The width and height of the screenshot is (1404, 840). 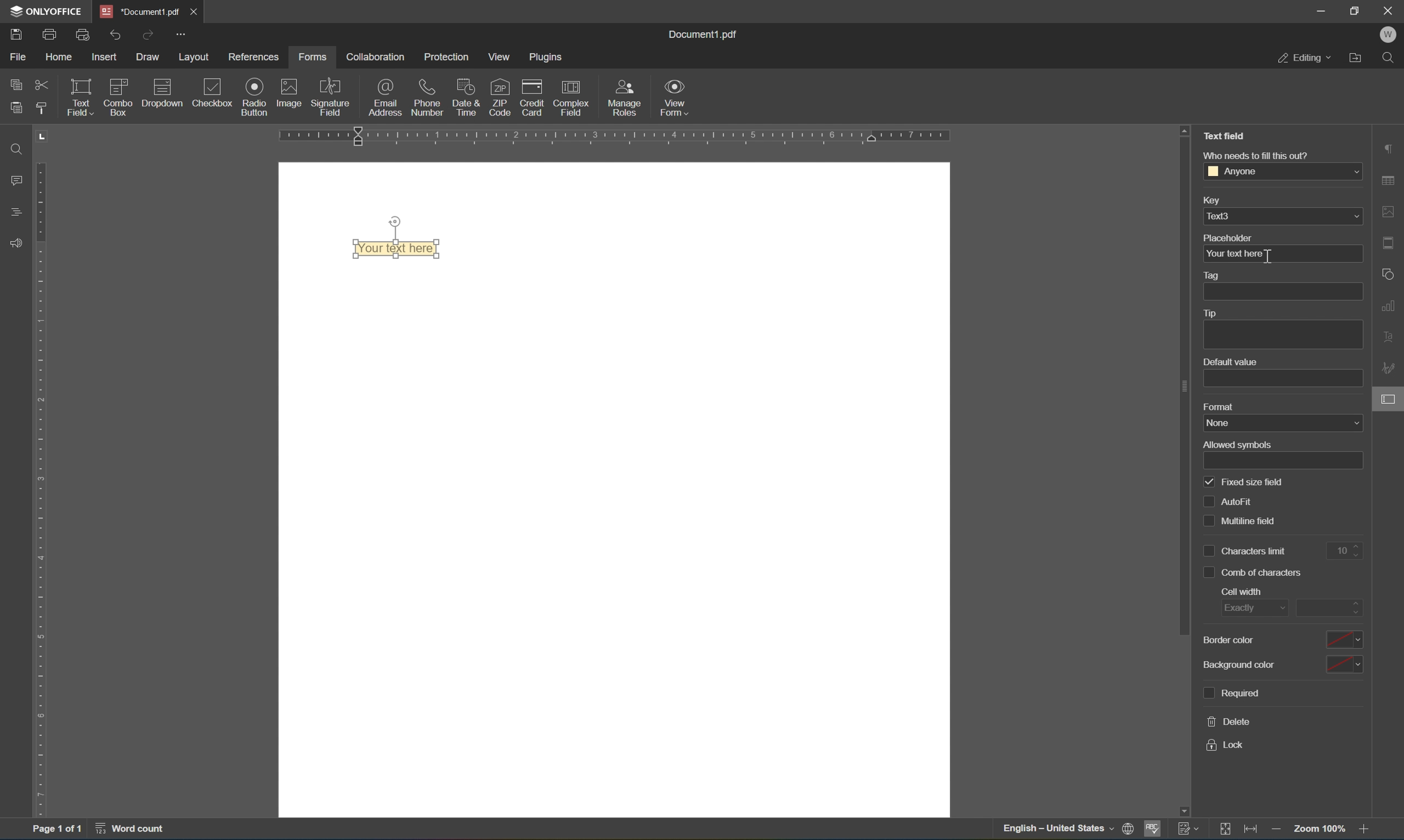 I want to click on placeholder, so click(x=1230, y=238).